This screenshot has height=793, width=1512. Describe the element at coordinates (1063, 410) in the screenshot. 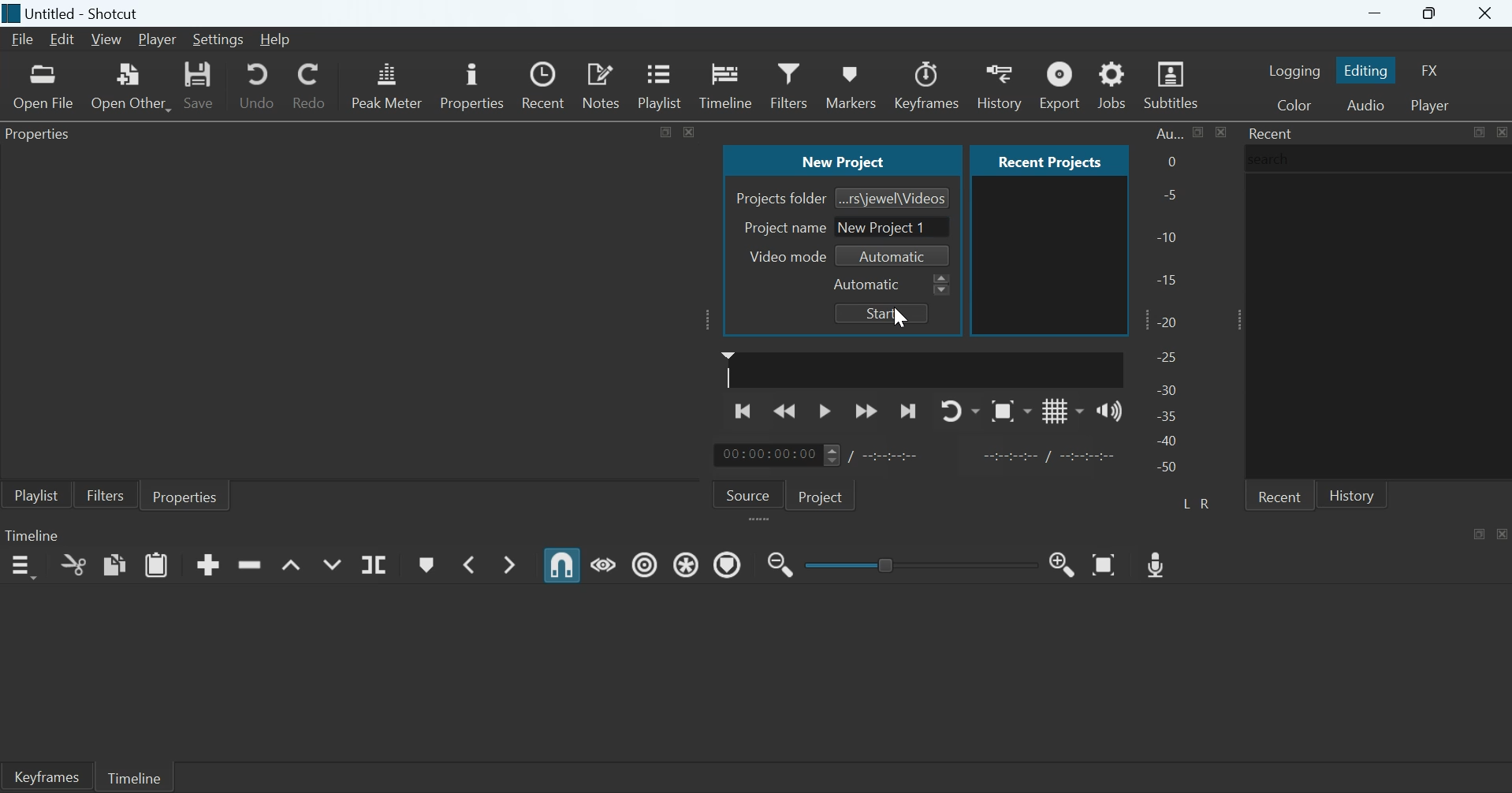

I see `Toggle grid display on the player` at that location.